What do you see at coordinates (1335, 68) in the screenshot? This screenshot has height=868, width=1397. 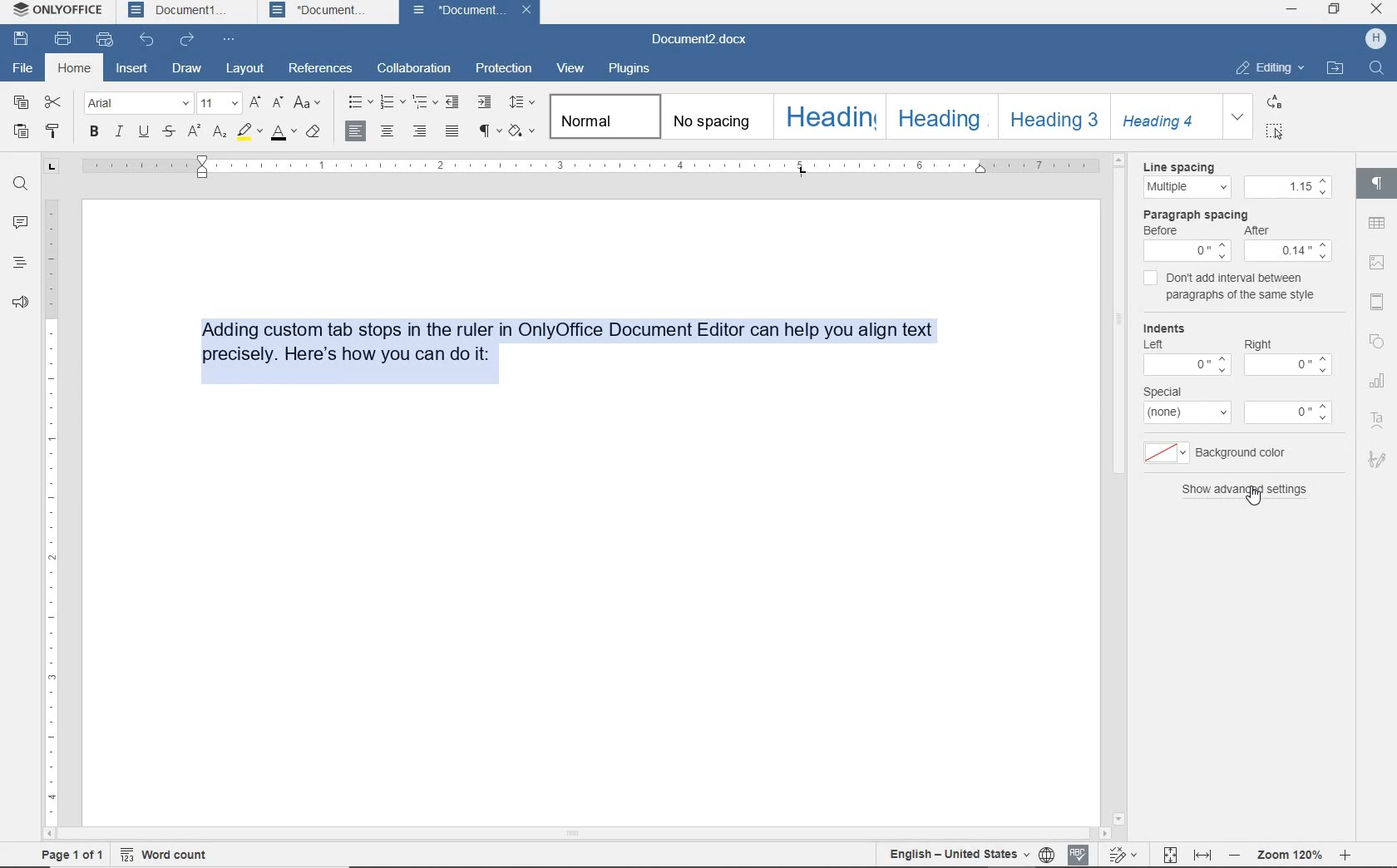 I see `open file location` at bounding box center [1335, 68].